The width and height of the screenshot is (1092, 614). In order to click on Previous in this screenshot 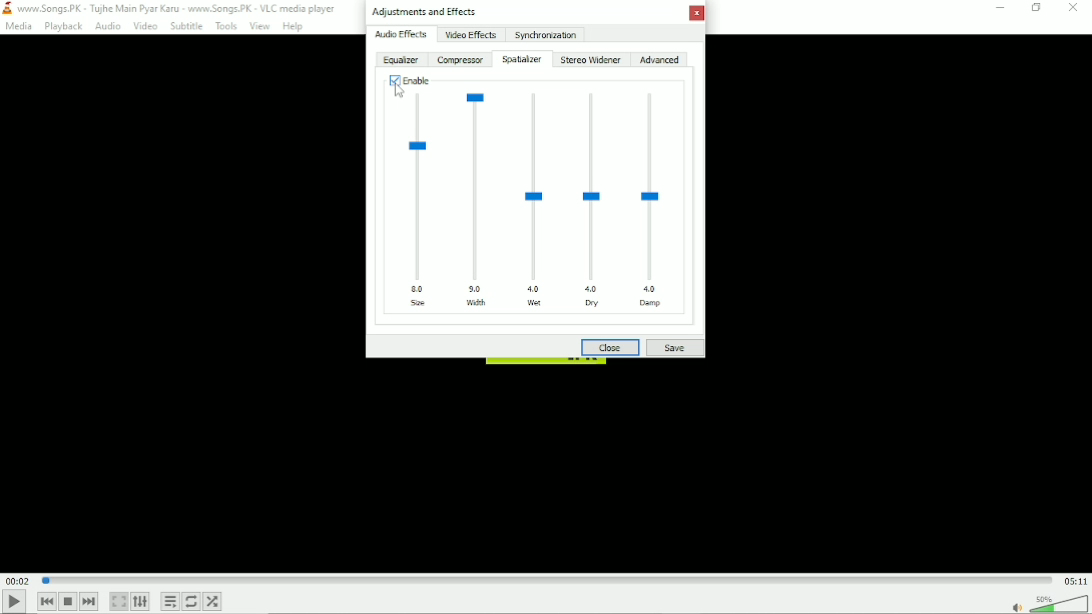, I will do `click(46, 601)`.